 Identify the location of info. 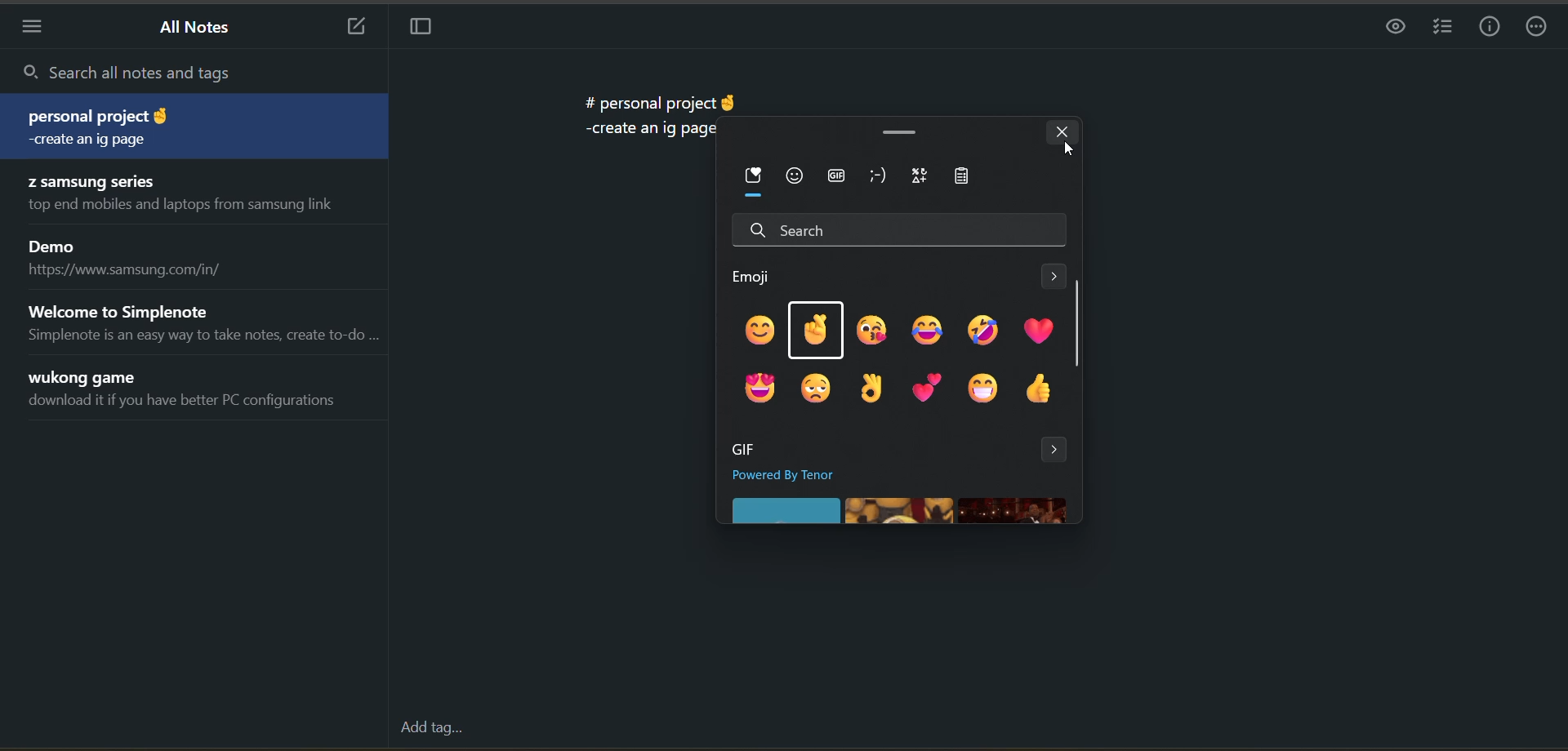
(1492, 26).